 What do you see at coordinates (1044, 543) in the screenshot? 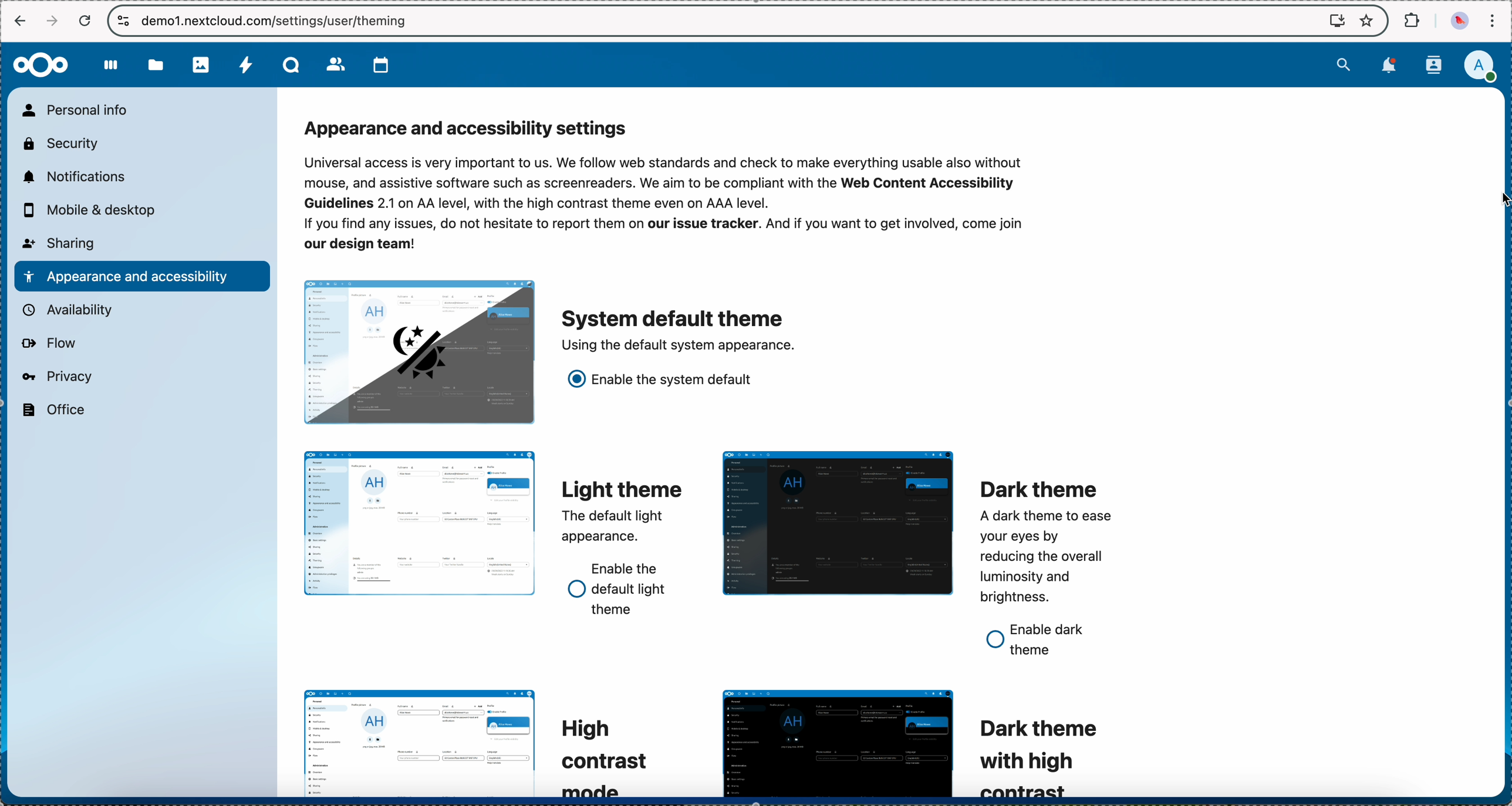
I see `dark theme` at bounding box center [1044, 543].